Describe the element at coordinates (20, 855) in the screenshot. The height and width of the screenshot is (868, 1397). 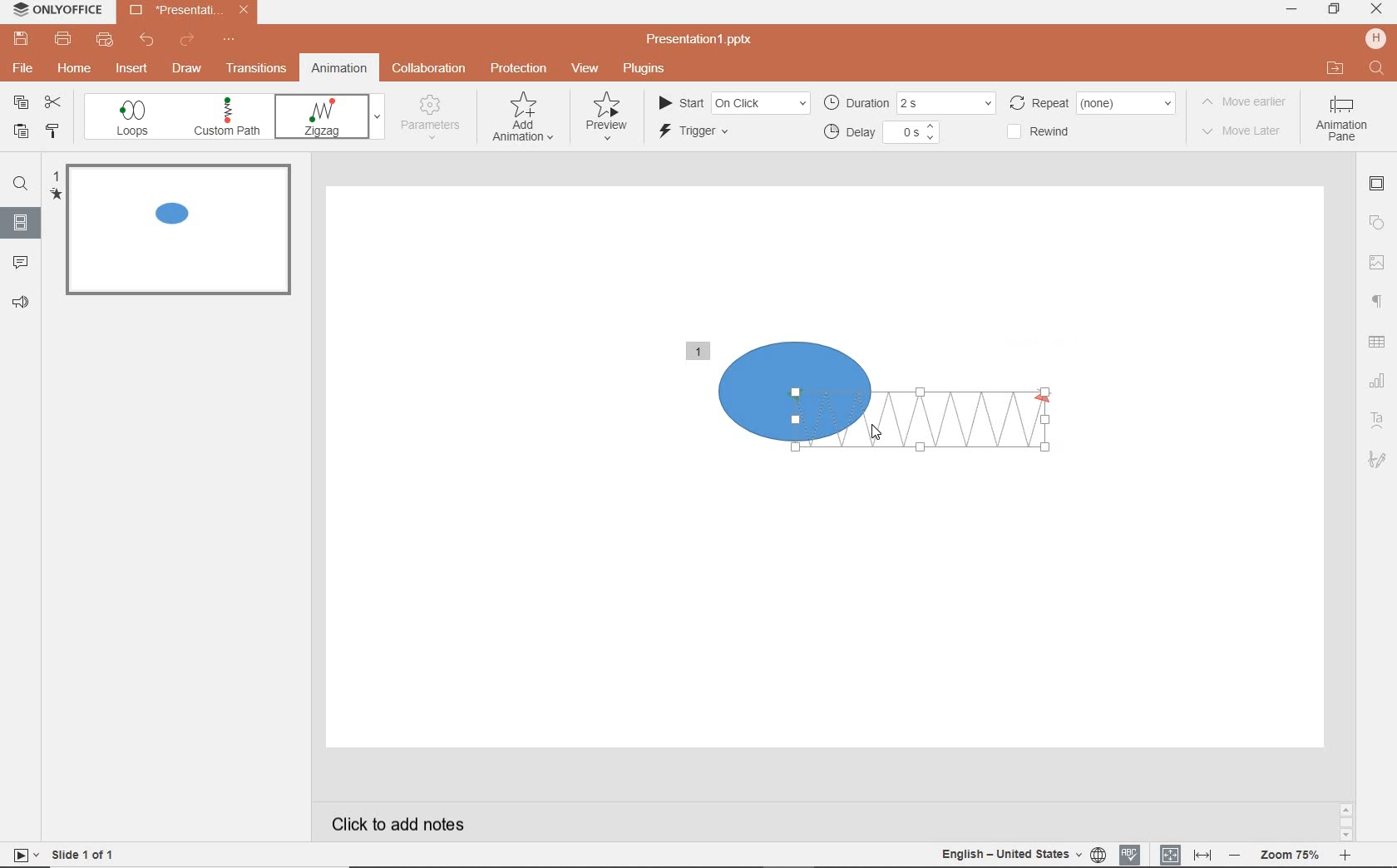
I see `start slide show` at that location.